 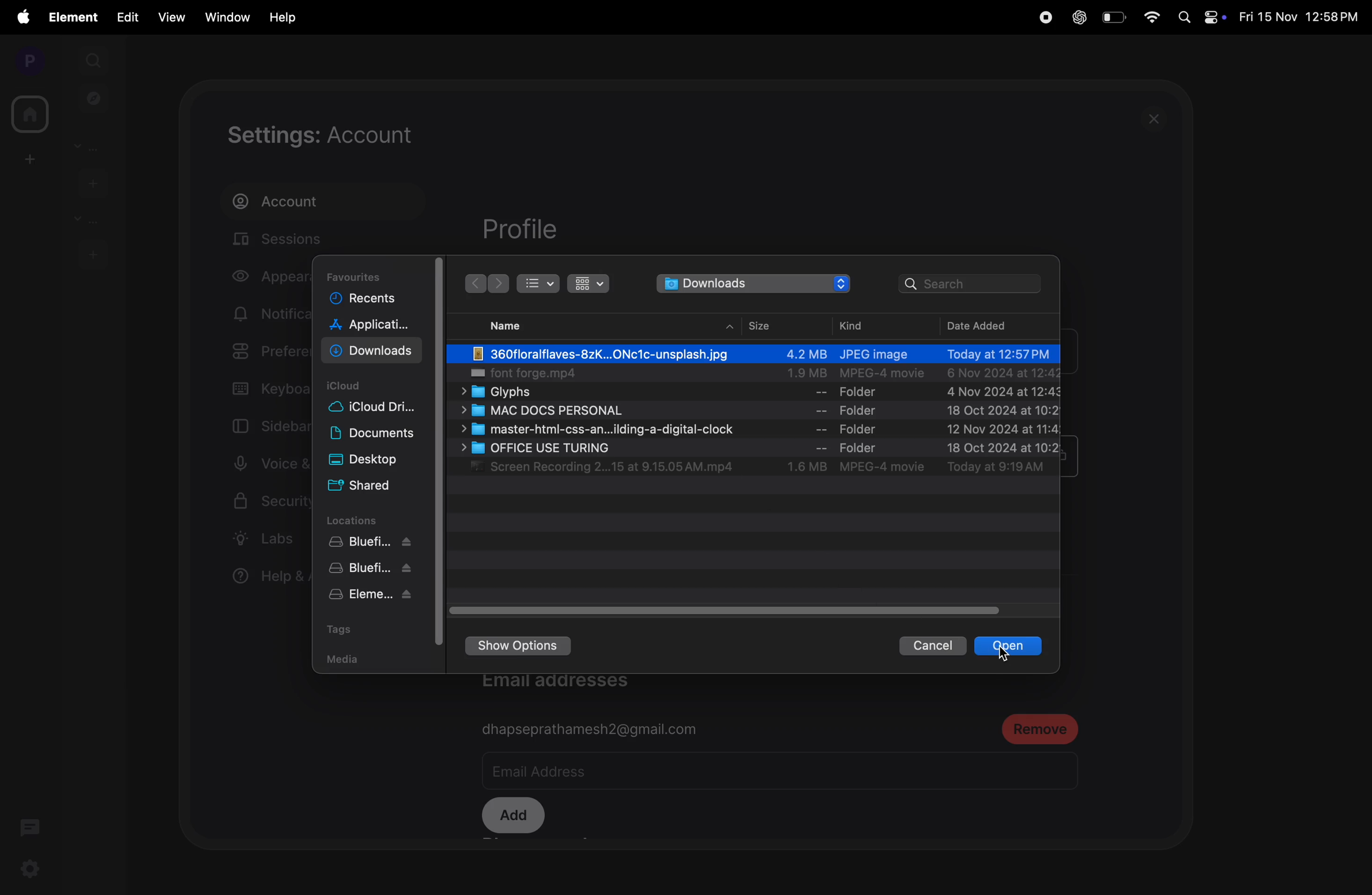 I want to click on search, so click(x=974, y=284).